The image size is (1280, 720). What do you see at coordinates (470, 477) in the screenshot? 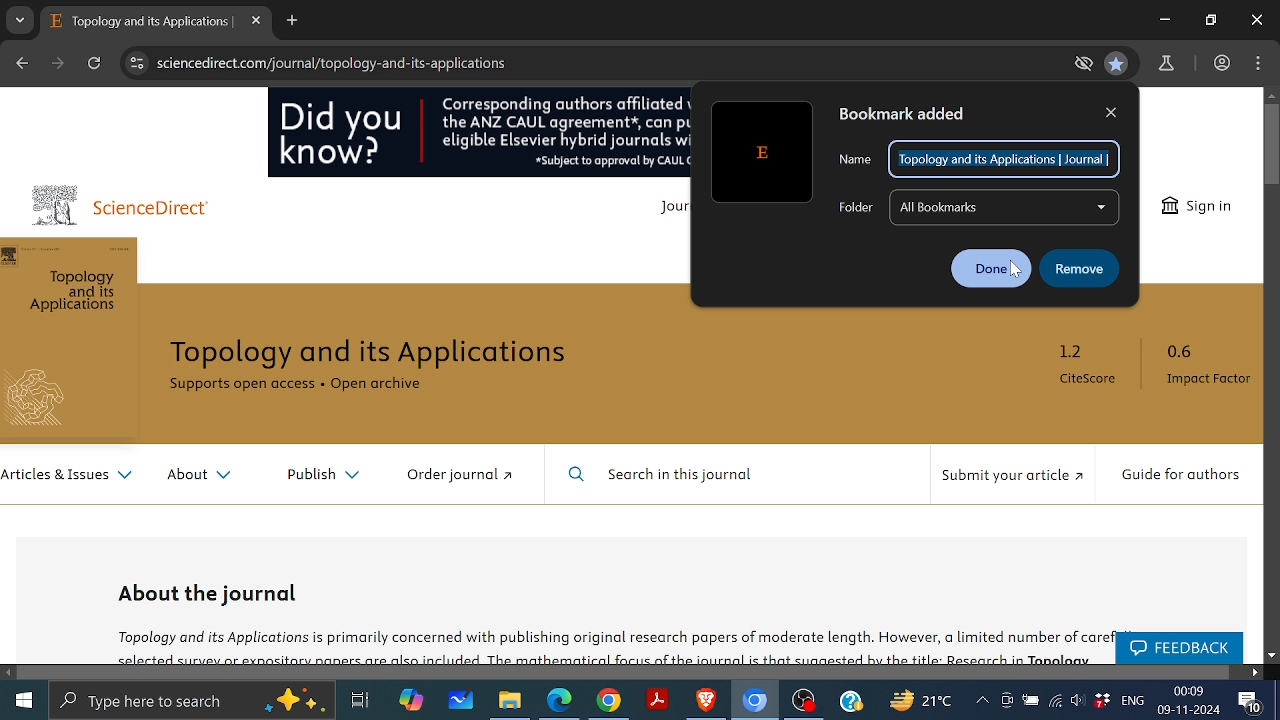
I see `order journal` at bounding box center [470, 477].